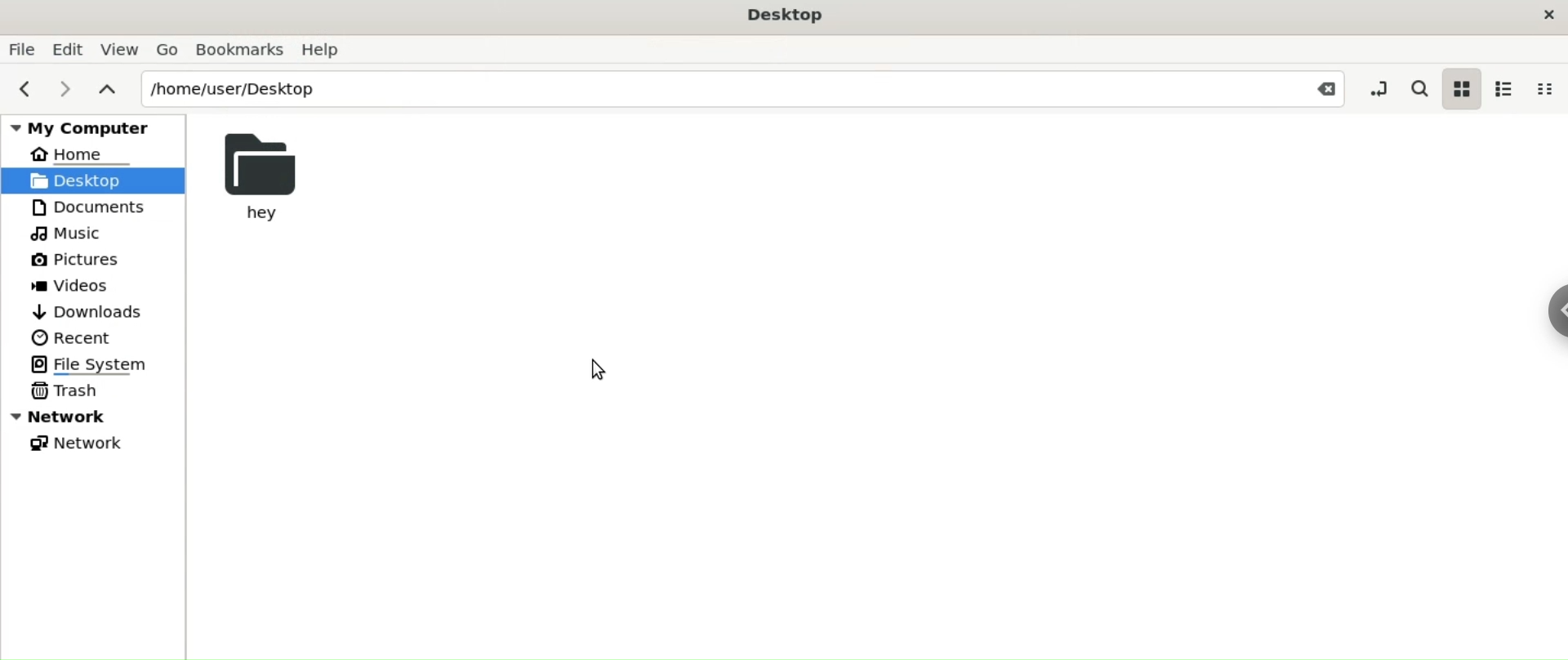 Image resolution: width=1568 pixels, height=660 pixels. What do you see at coordinates (104, 89) in the screenshot?
I see `parent folders` at bounding box center [104, 89].